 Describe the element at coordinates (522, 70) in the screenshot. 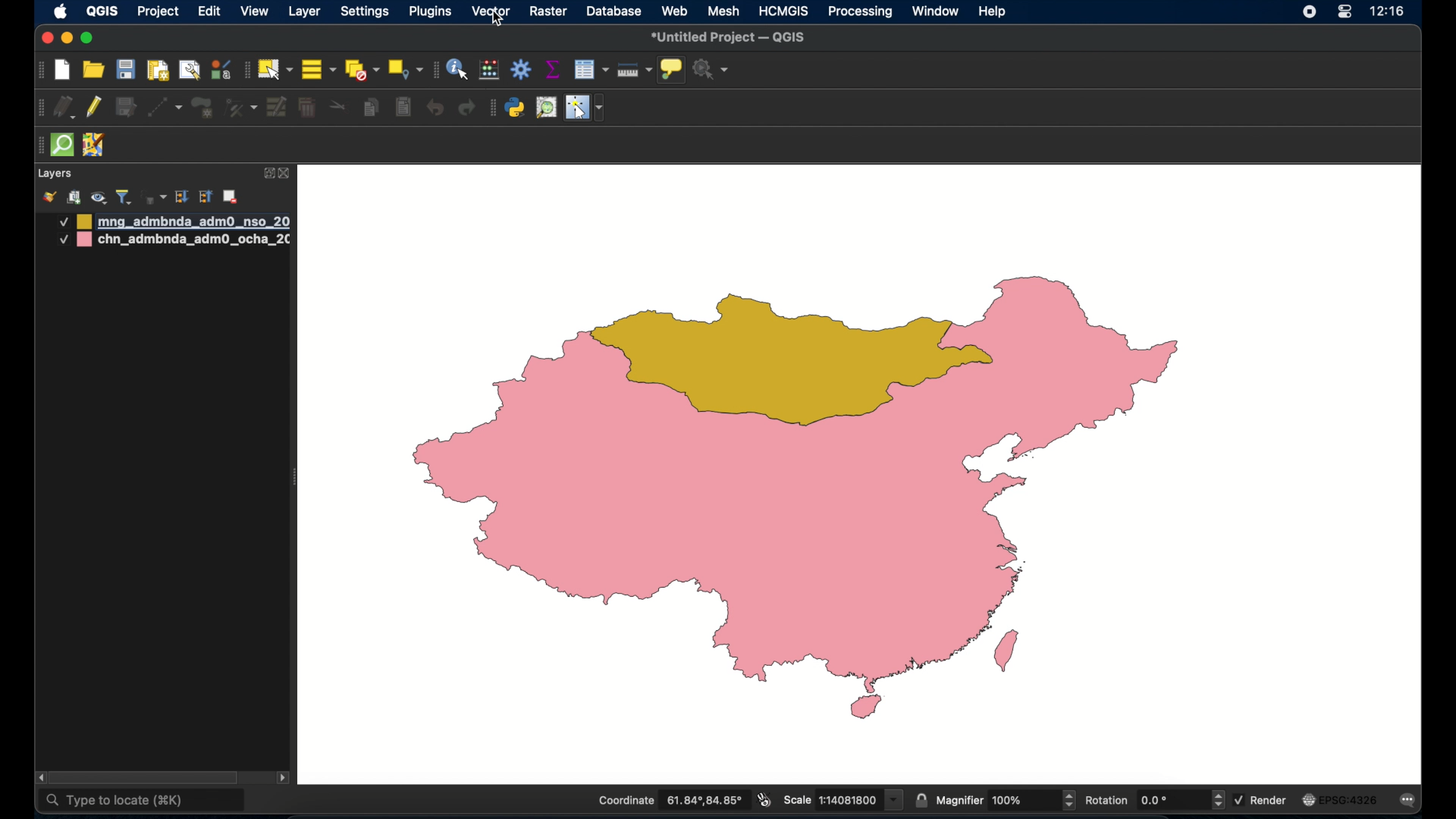

I see `toolbox` at that location.